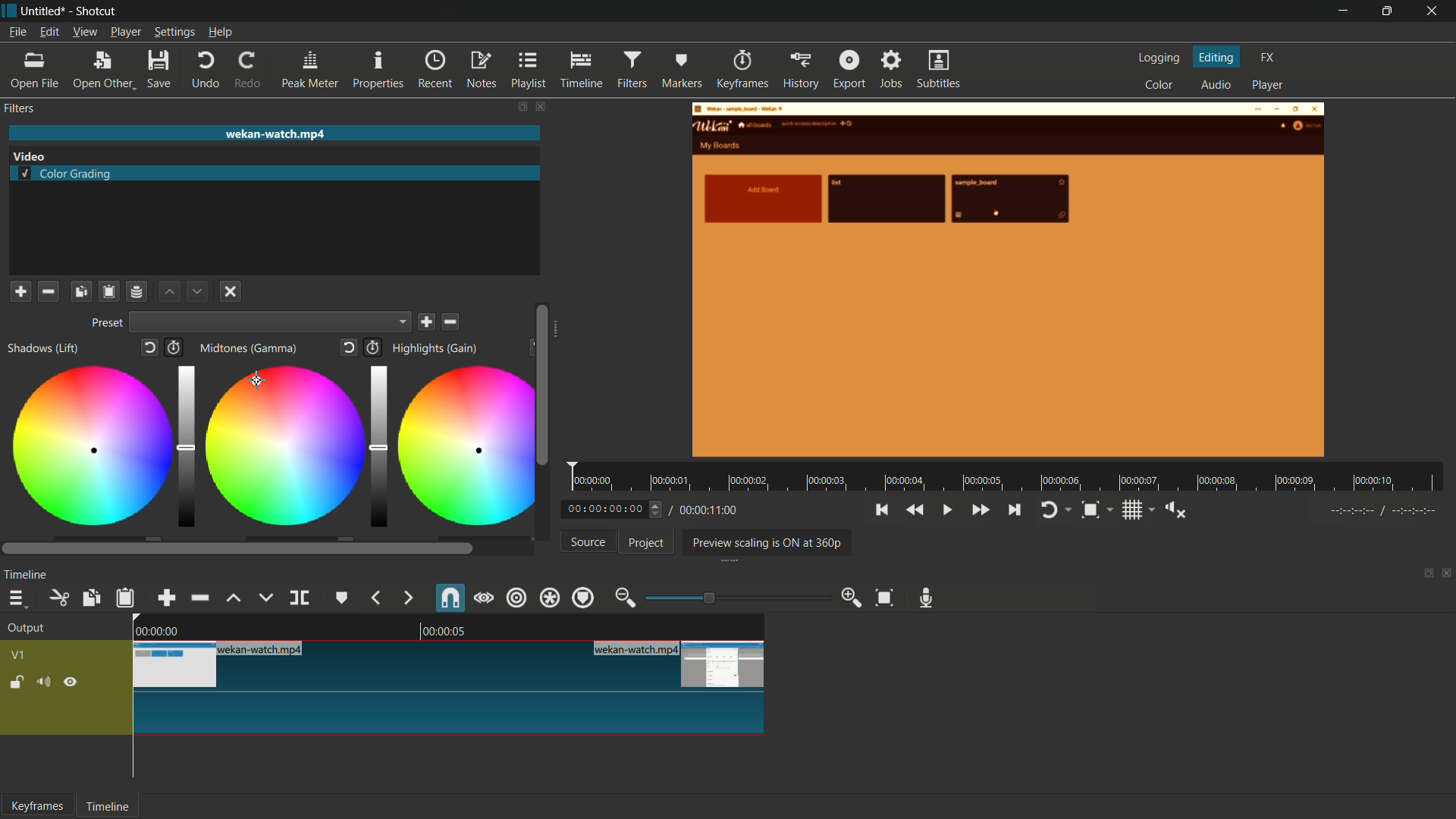  What do you see at coordinates (38, 806) in the screenshot?
I see `keyframes` at bounding box center [38, 806].